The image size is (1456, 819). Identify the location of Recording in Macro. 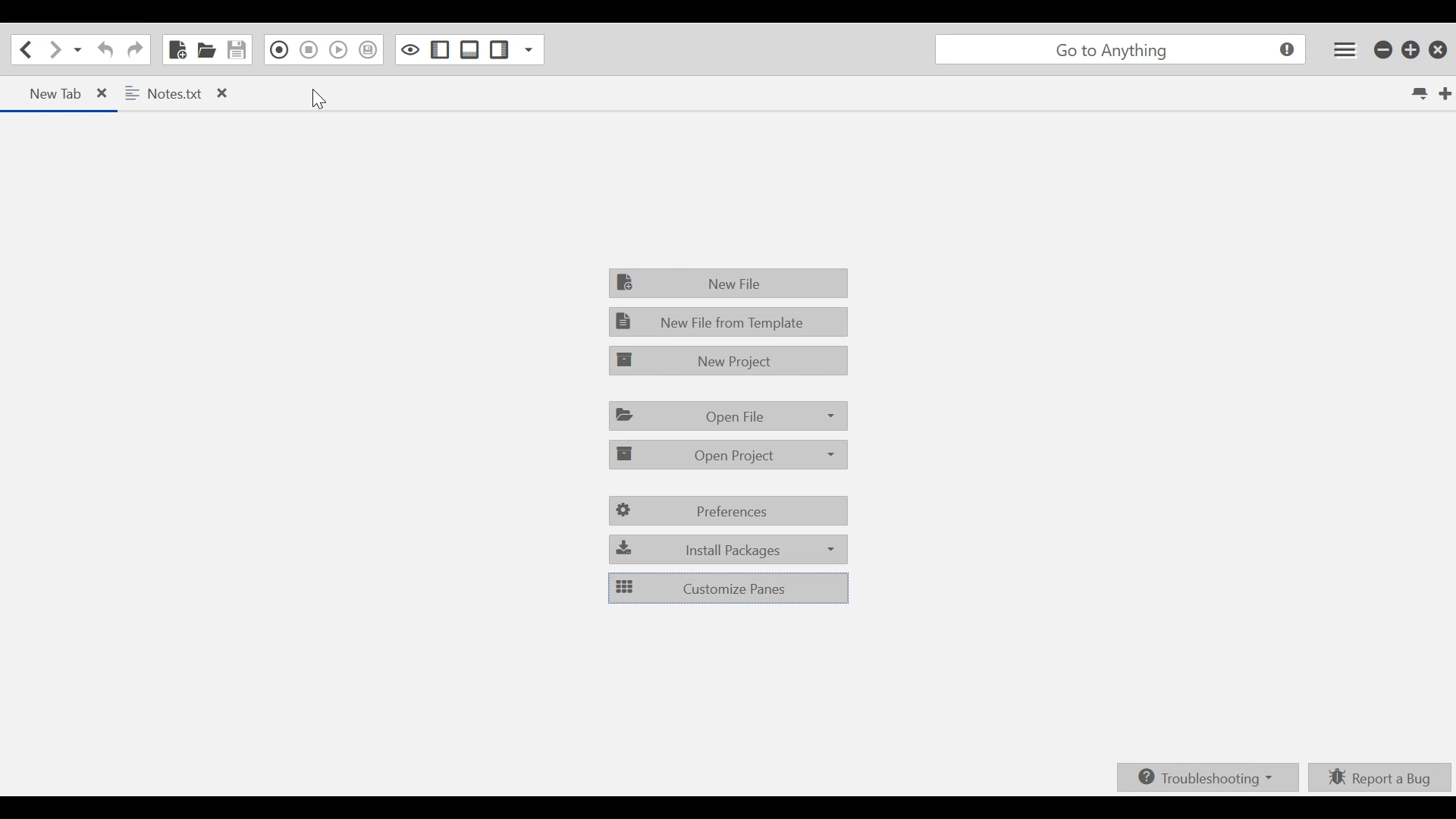
(279, 50).